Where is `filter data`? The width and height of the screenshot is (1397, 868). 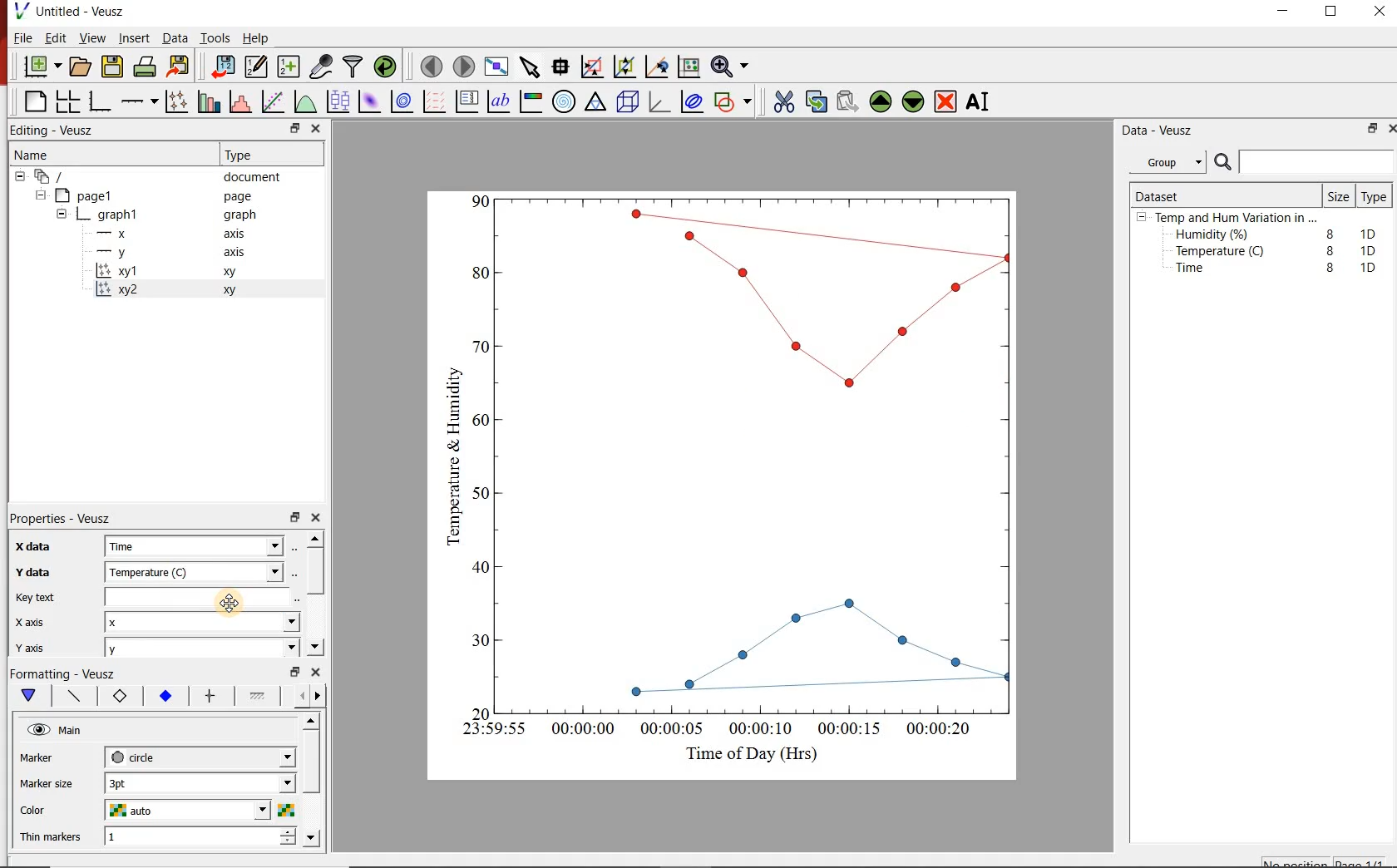
filter data is located at coordinates (353, 67).